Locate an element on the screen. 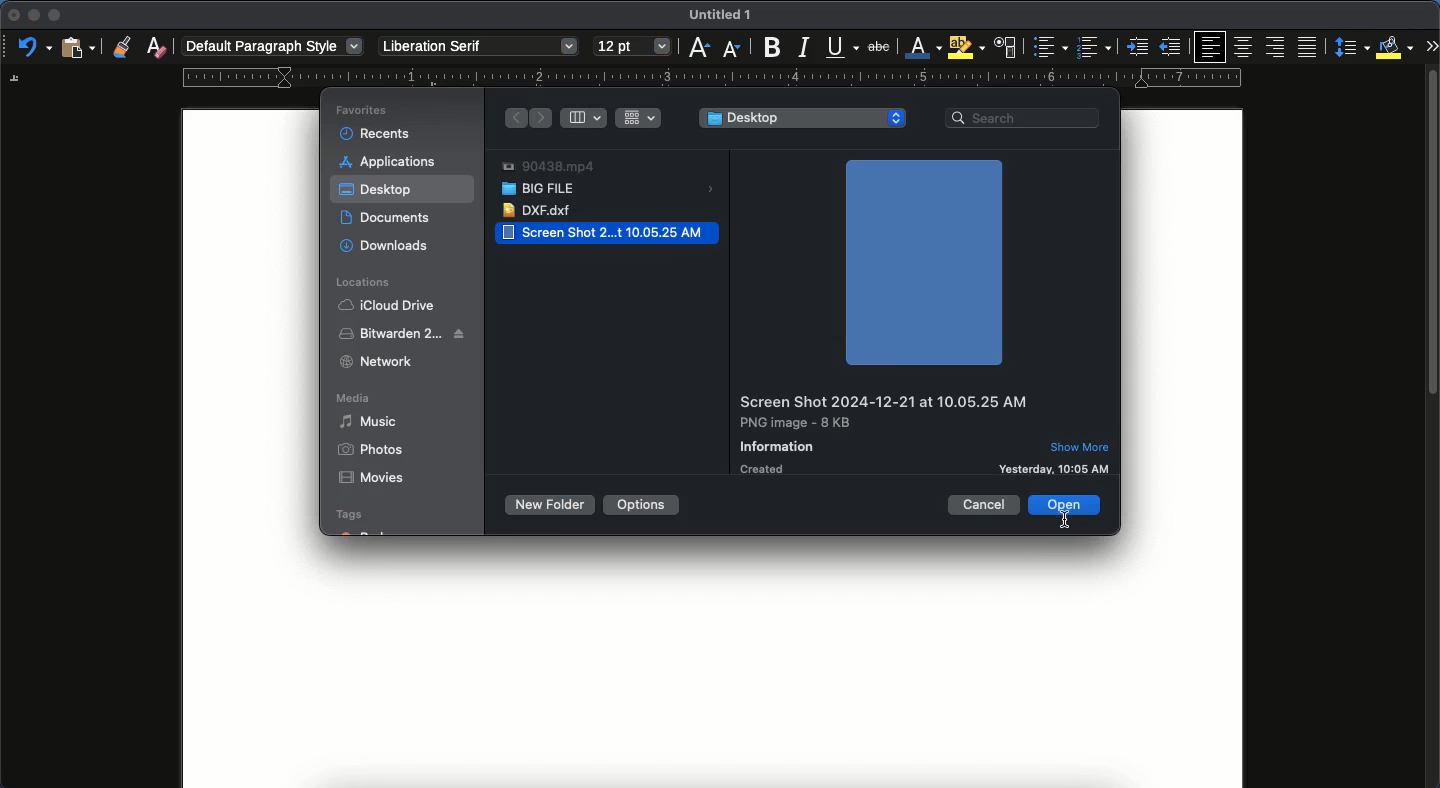  click is located at coordinates (1063, 524).